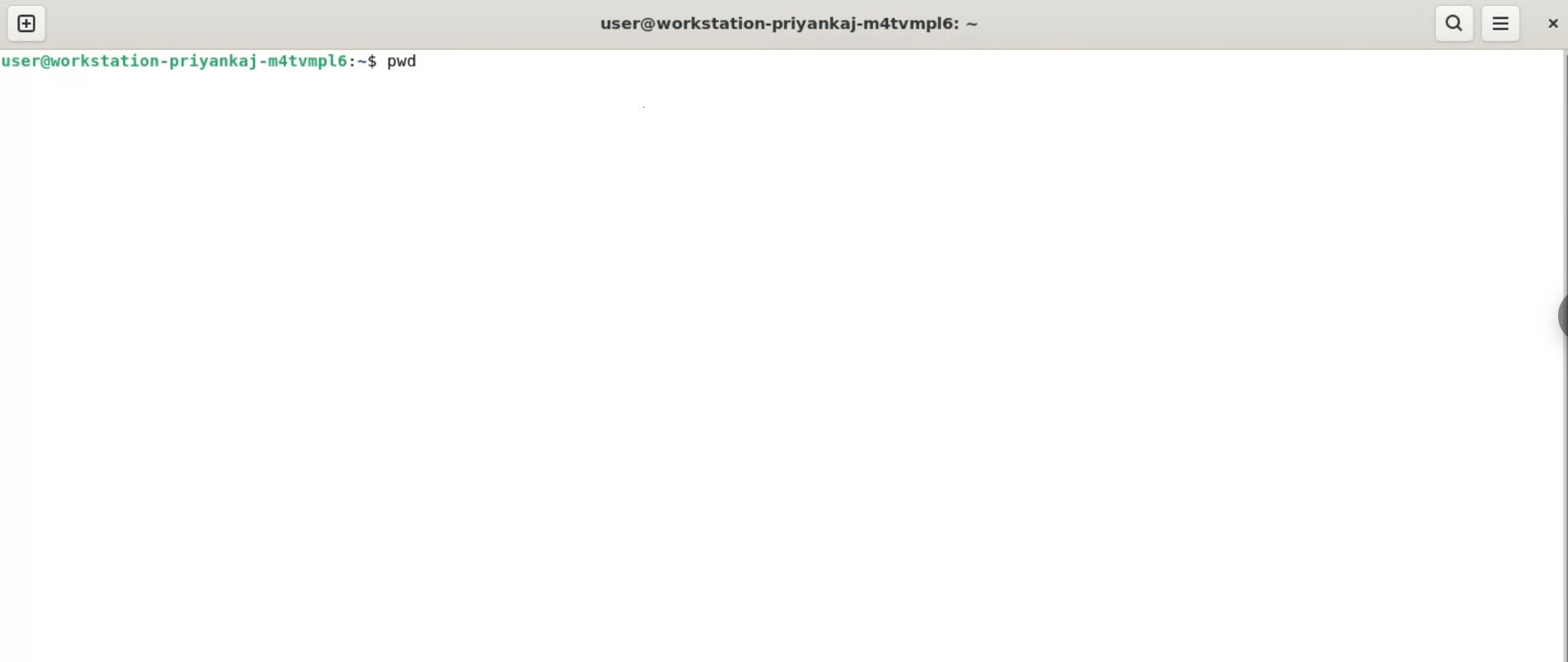 The height and width of the screenshot is (662, 1568). What do you see at coordinates (409, 61) in the screenshot?
I see `pwd` at bounding box center [409, 61].